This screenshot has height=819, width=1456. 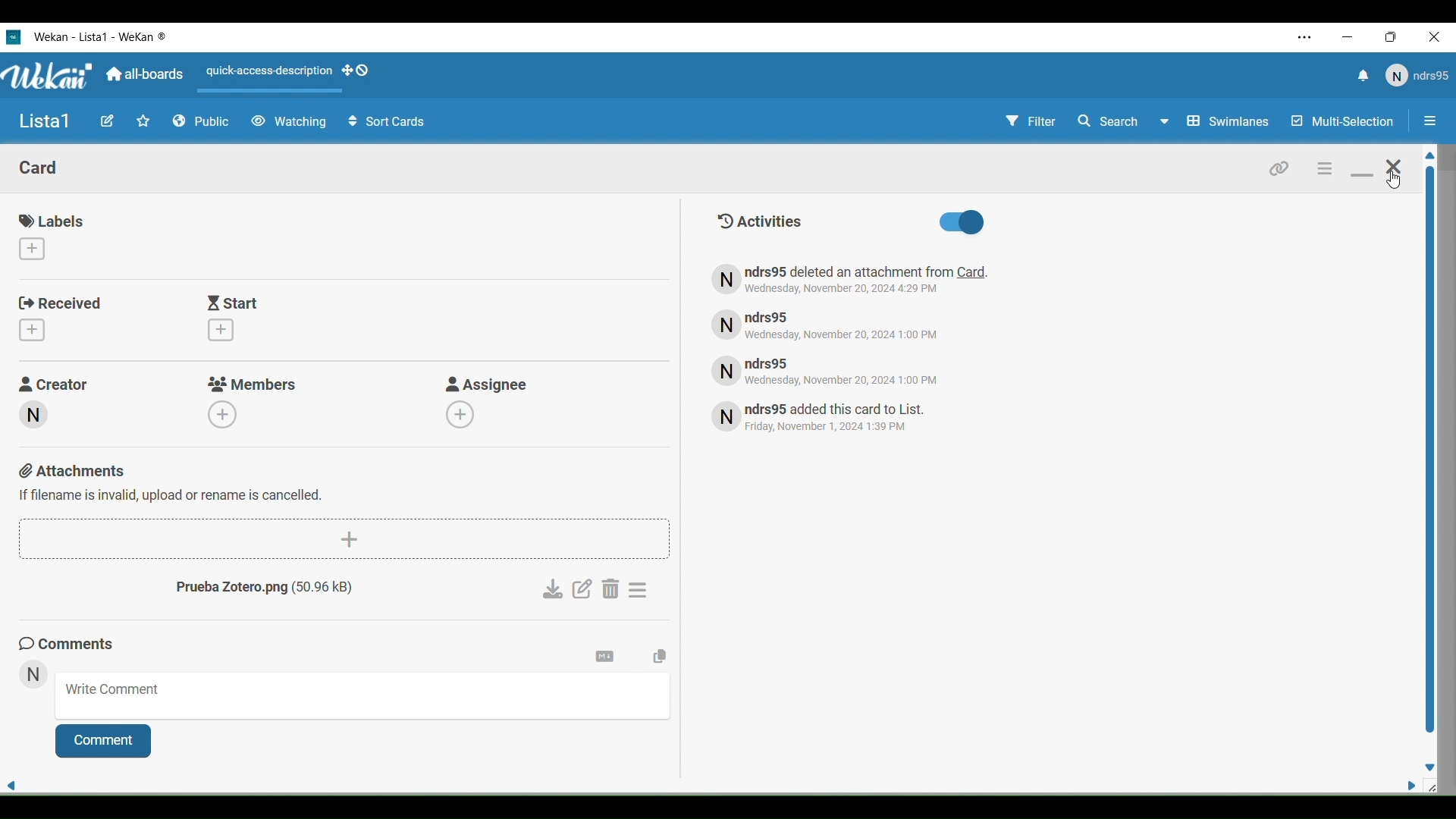 I want to click on Edit, so click(x=107, y=121).